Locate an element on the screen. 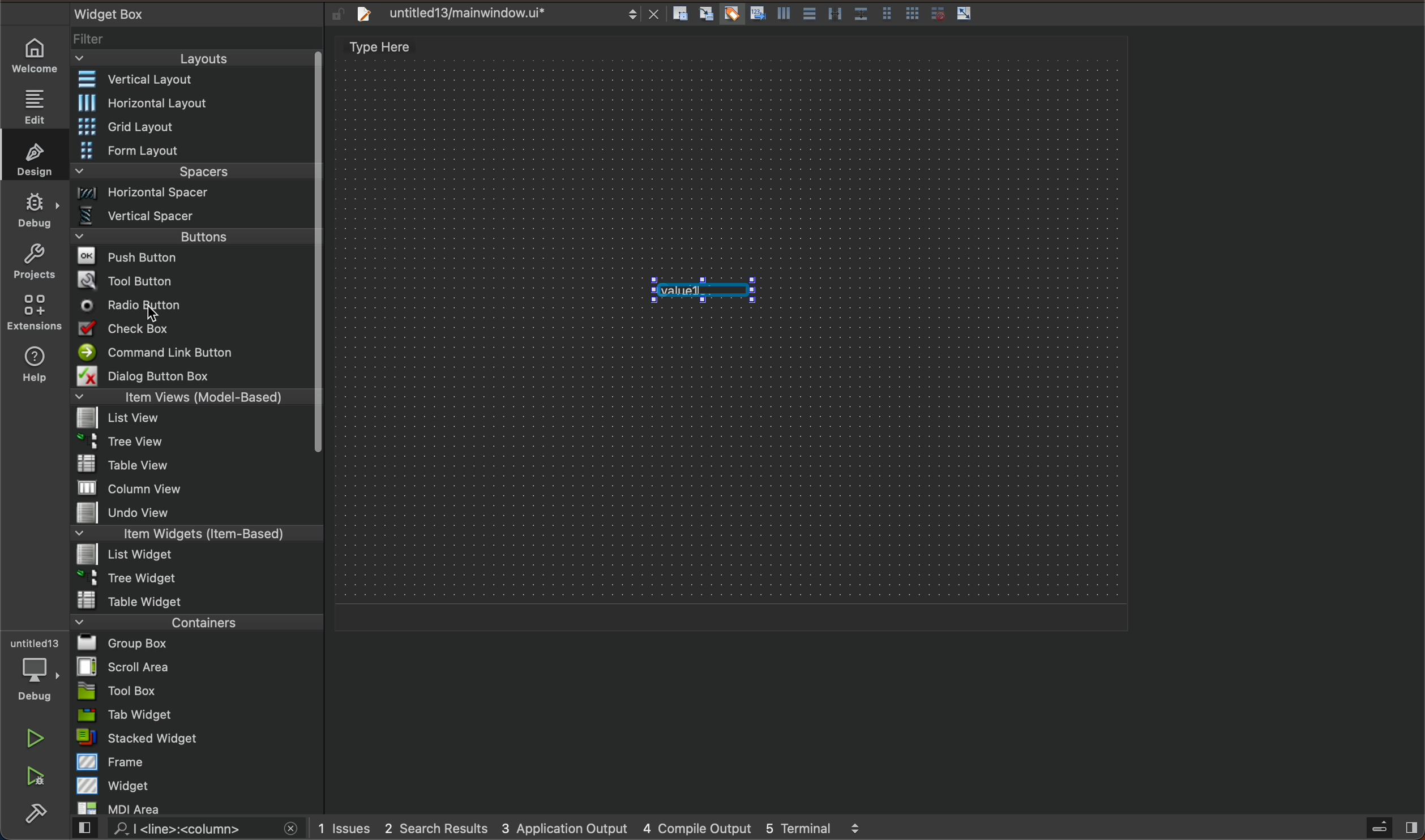   is located at coordinates (965, 14).